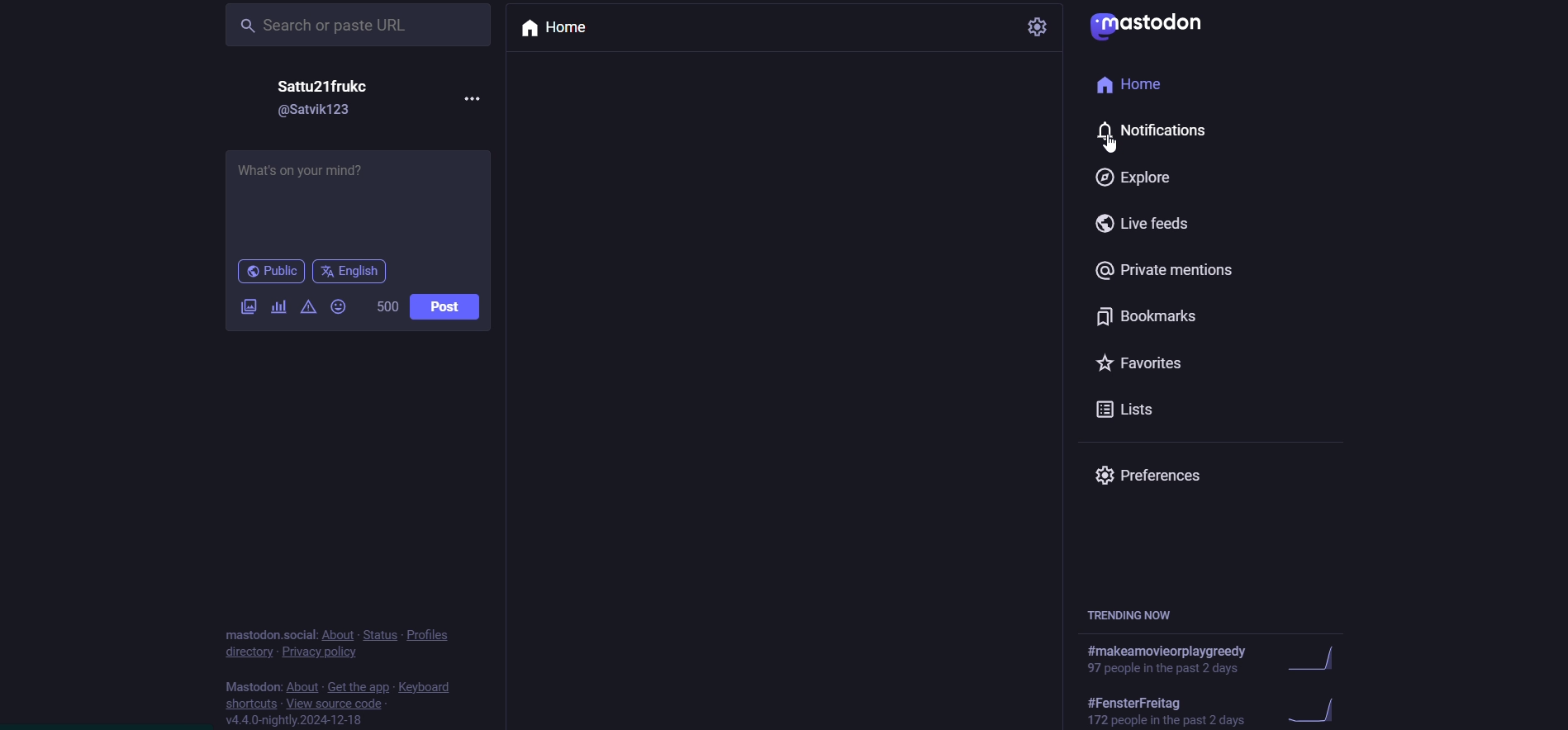  What do you see at coordinates (1168, 268) in the screenshot?
I see `Private mentions` at bounding box center [1168, 268].